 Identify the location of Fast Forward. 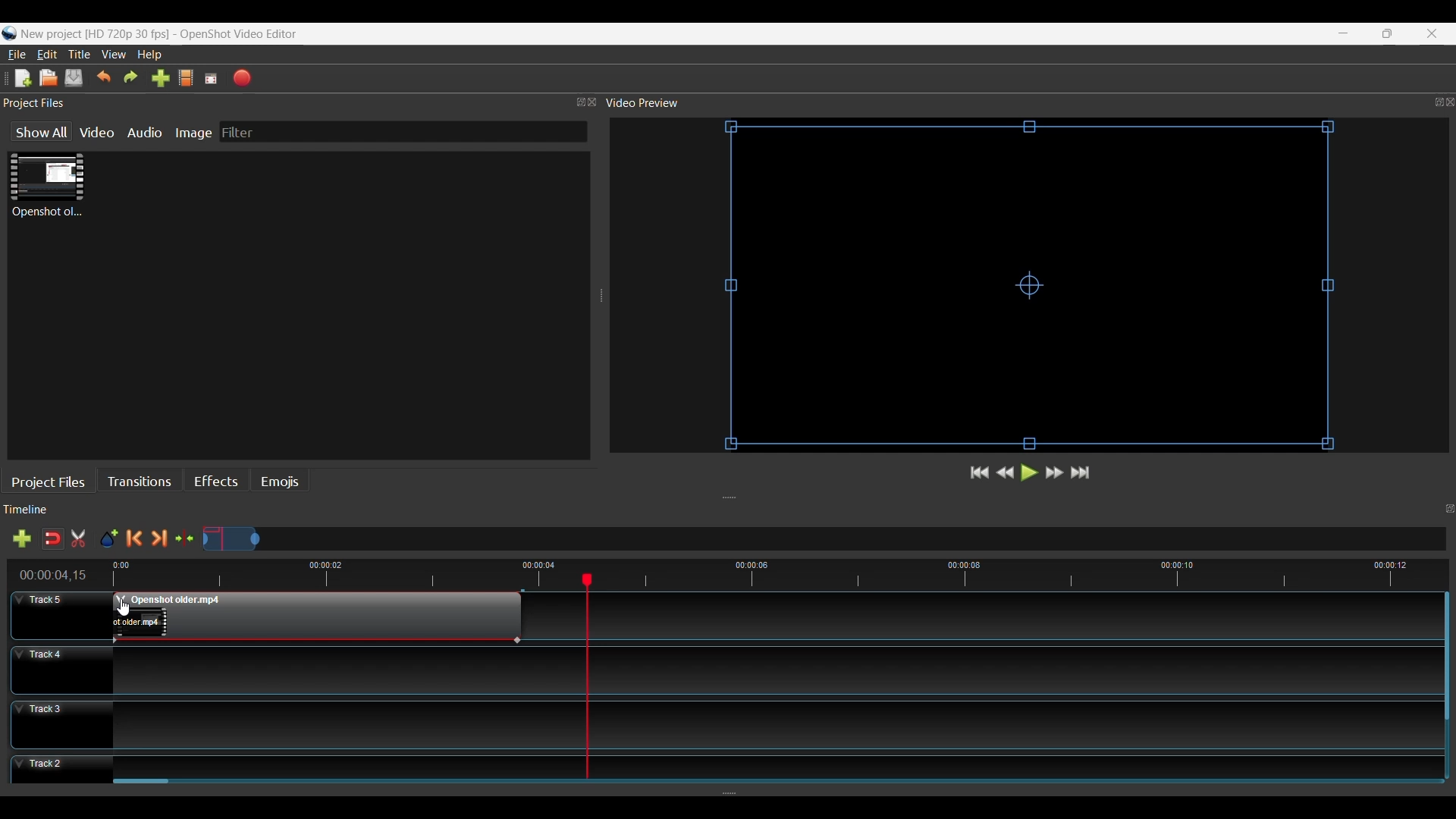
(1055, 472).